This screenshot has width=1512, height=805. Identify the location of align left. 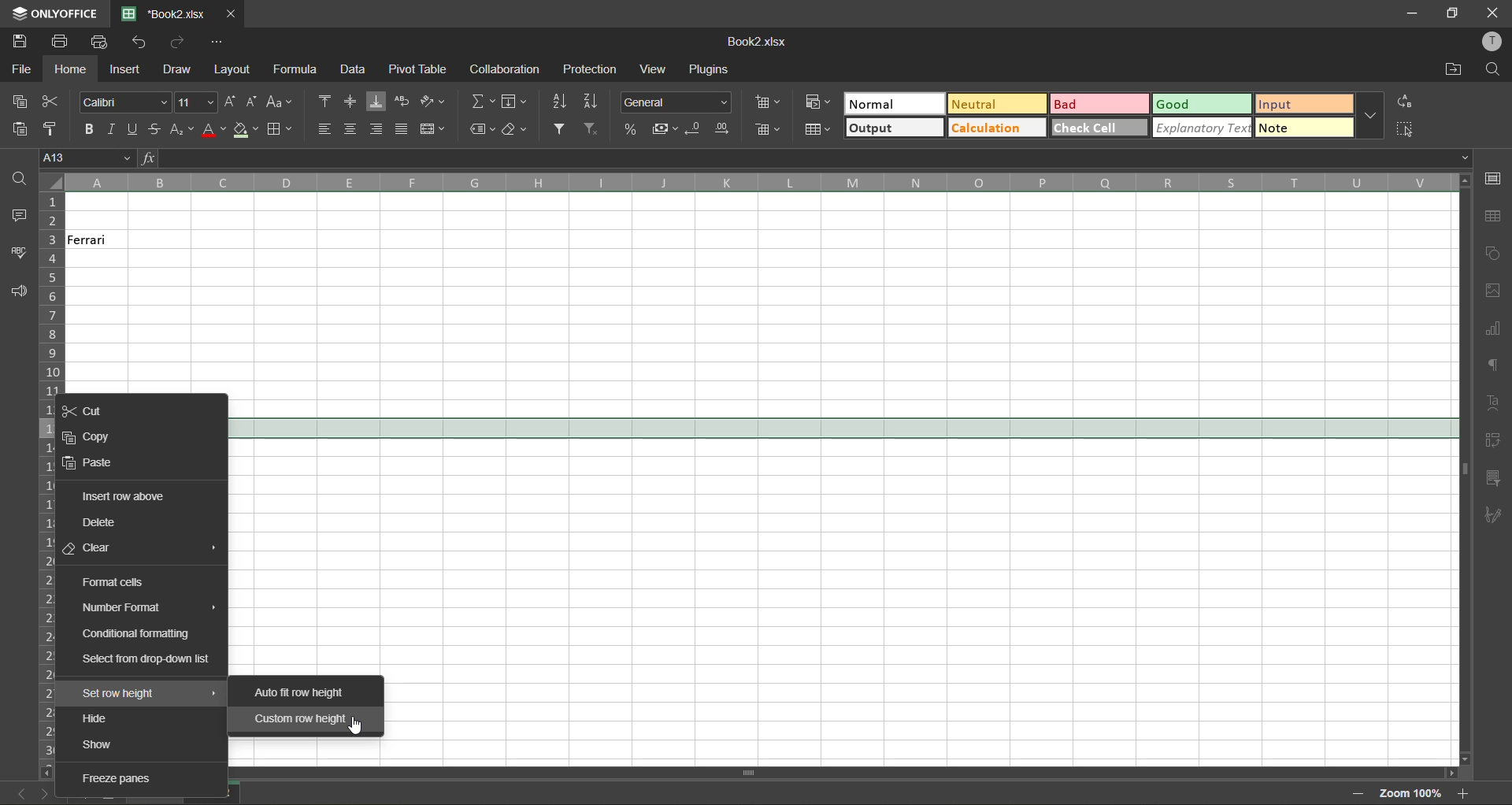
(329, 129).